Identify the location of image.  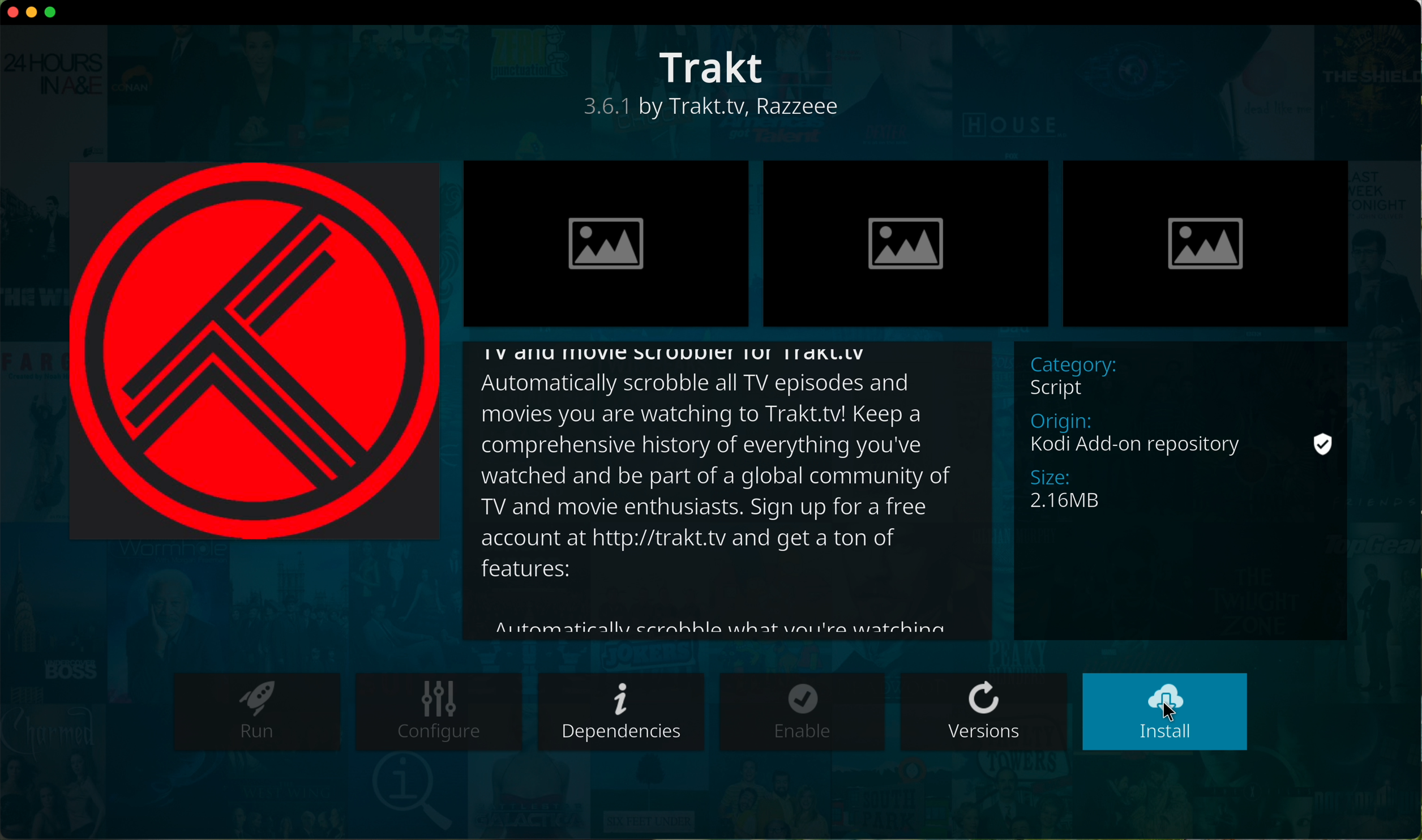
(906, 242).